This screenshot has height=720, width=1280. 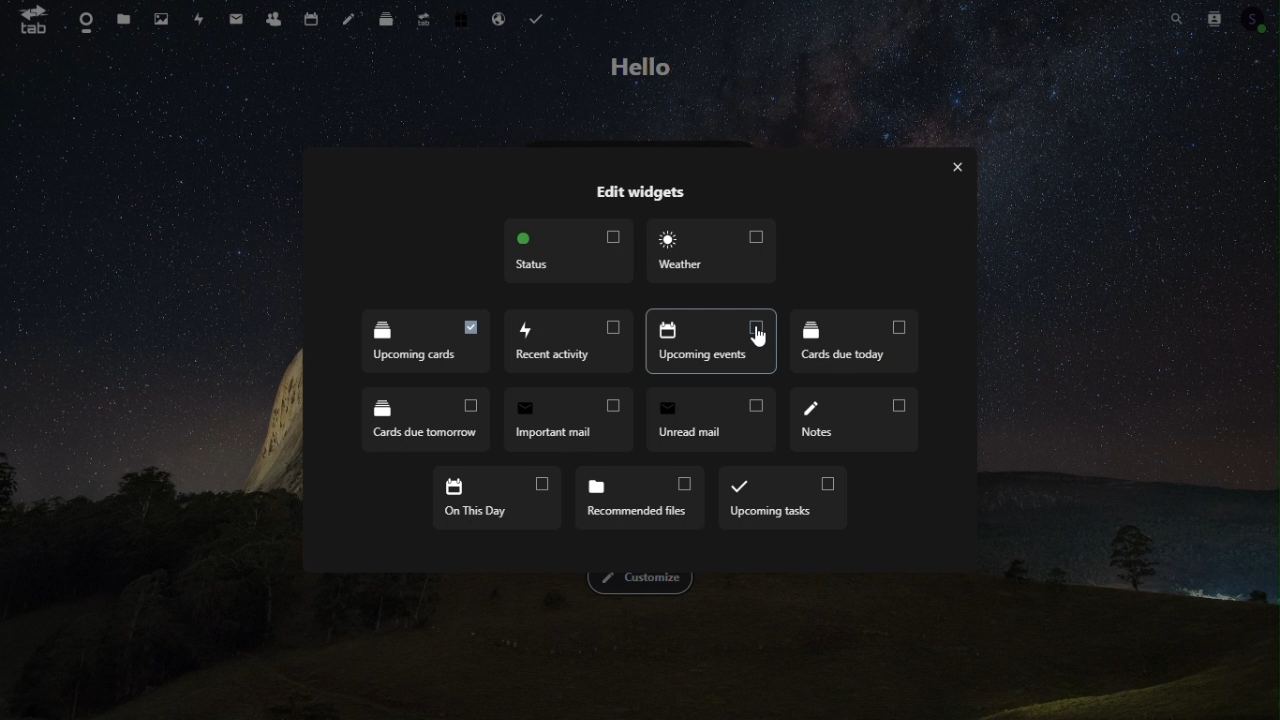 What do you see at coordinates (83, 19) in the screenshot?
I see `dashboard` at bounding box center [83, 19].